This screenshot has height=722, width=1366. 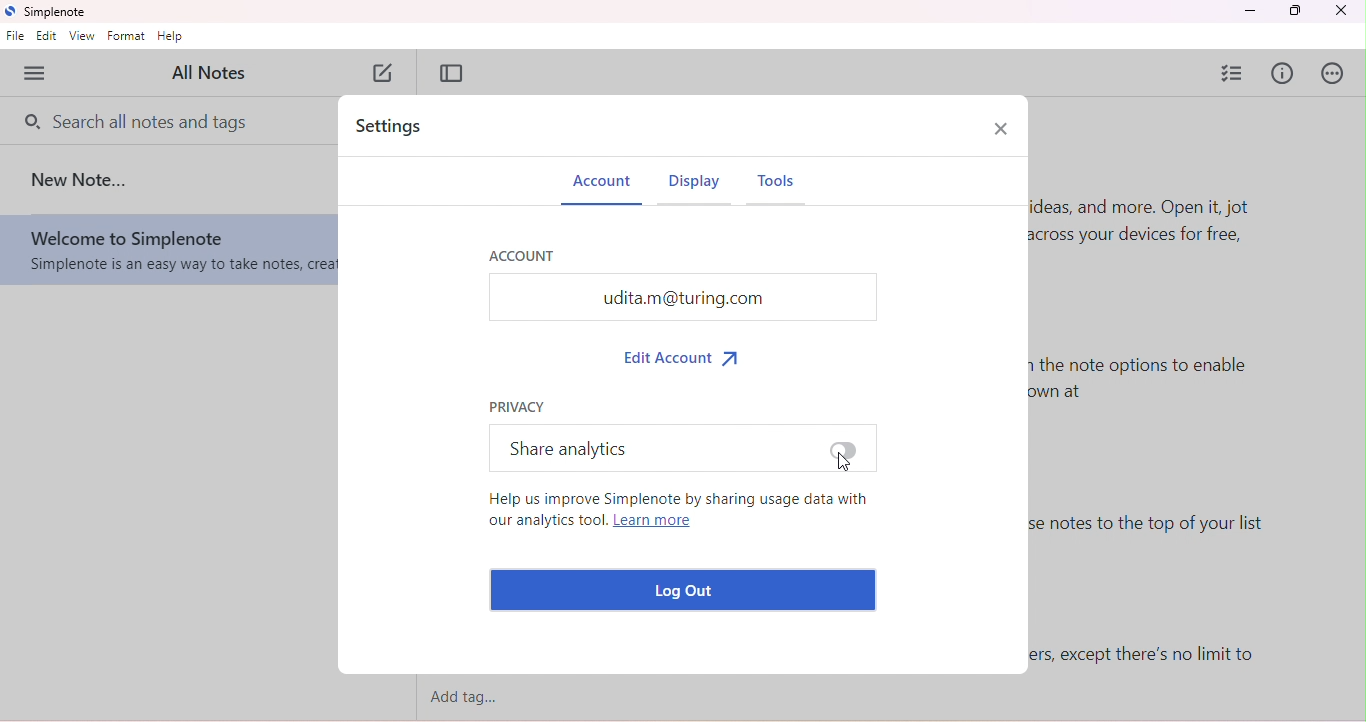 What do you see at coordinates (216, 72) in the screenshot?
I see `all notes` at bounding box center [216, 72].